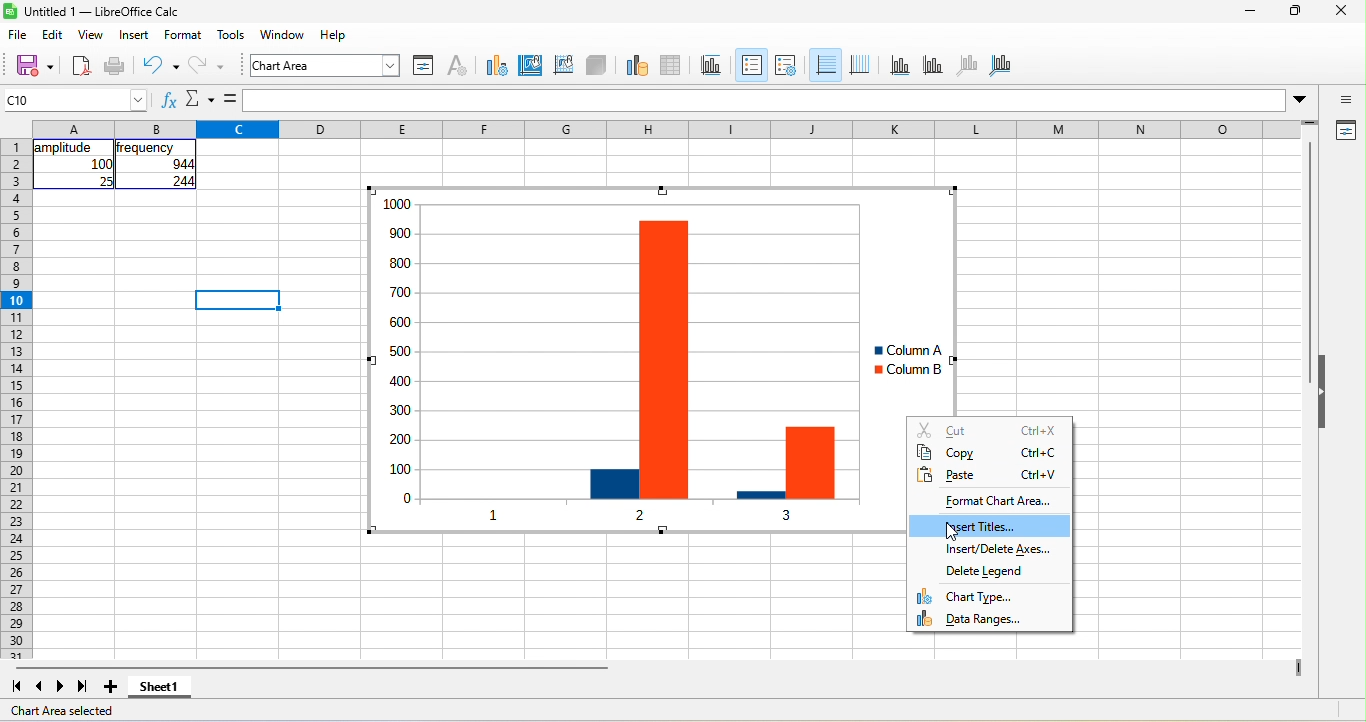 This screenshot has width=1366, height=722. I want to click on Software logo, so click(10, 11).